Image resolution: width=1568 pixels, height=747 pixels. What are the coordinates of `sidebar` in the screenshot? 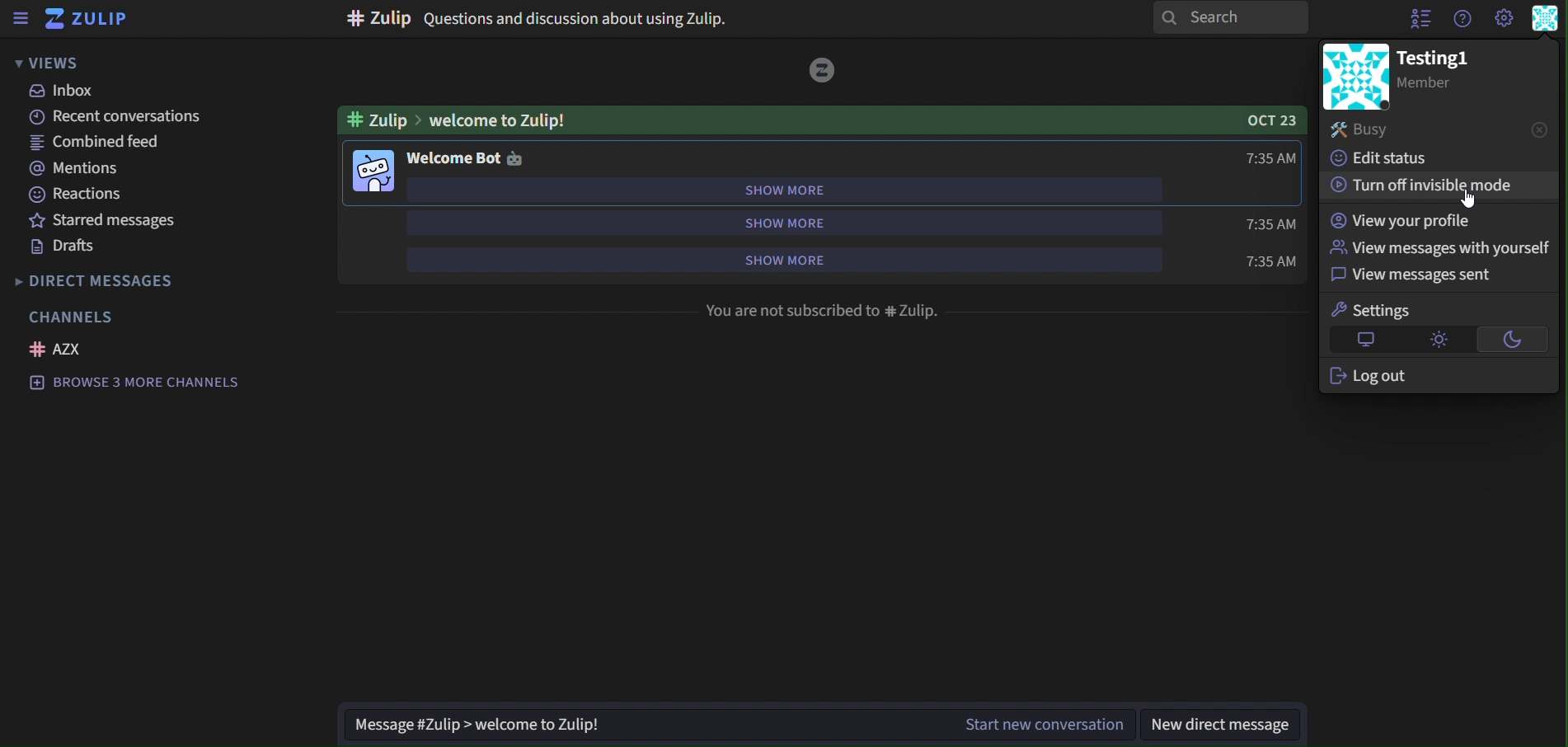 It's located at (22, 19).